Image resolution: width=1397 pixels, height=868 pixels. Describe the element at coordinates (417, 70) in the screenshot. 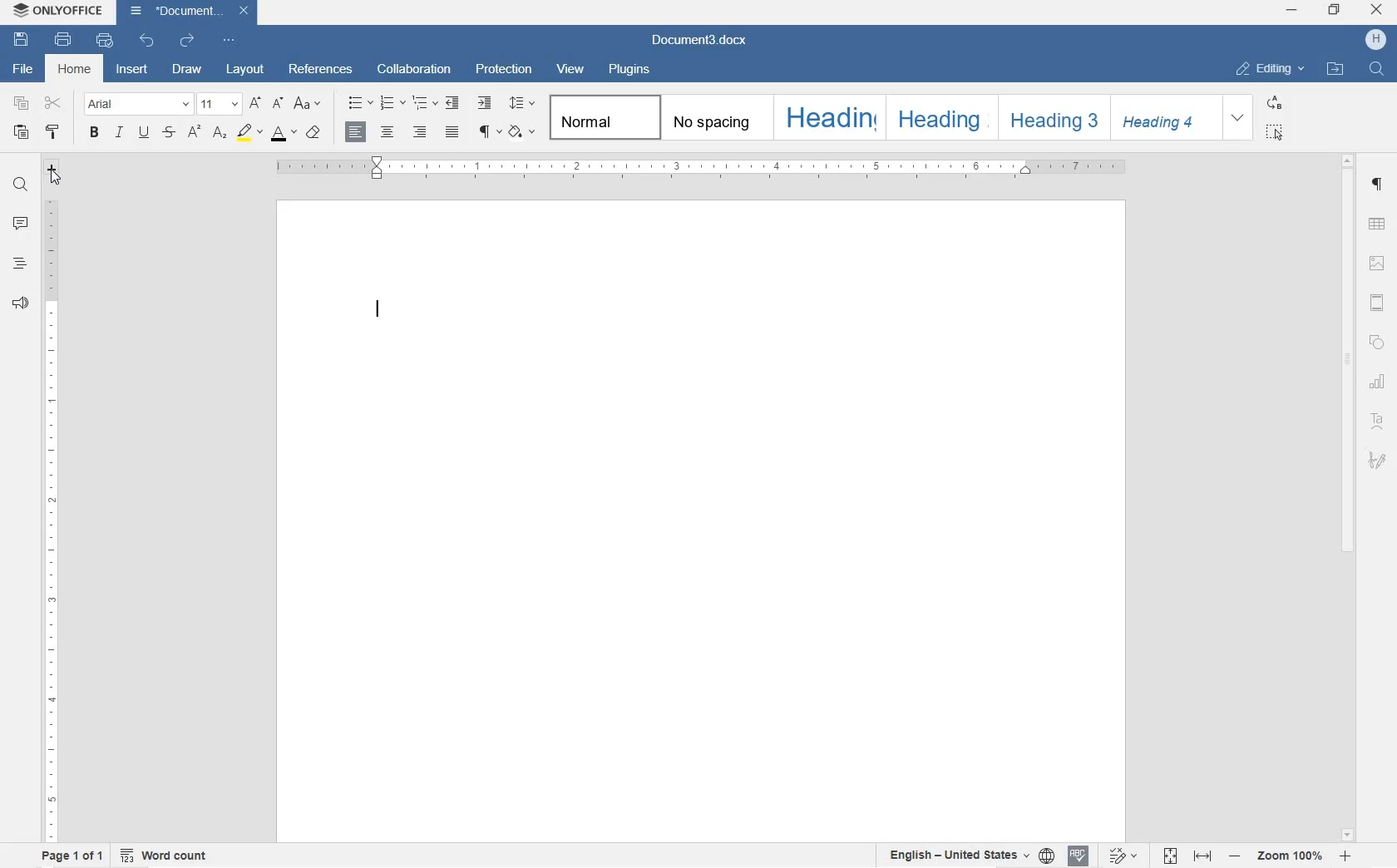

I see `COLLABORATION` at that location.